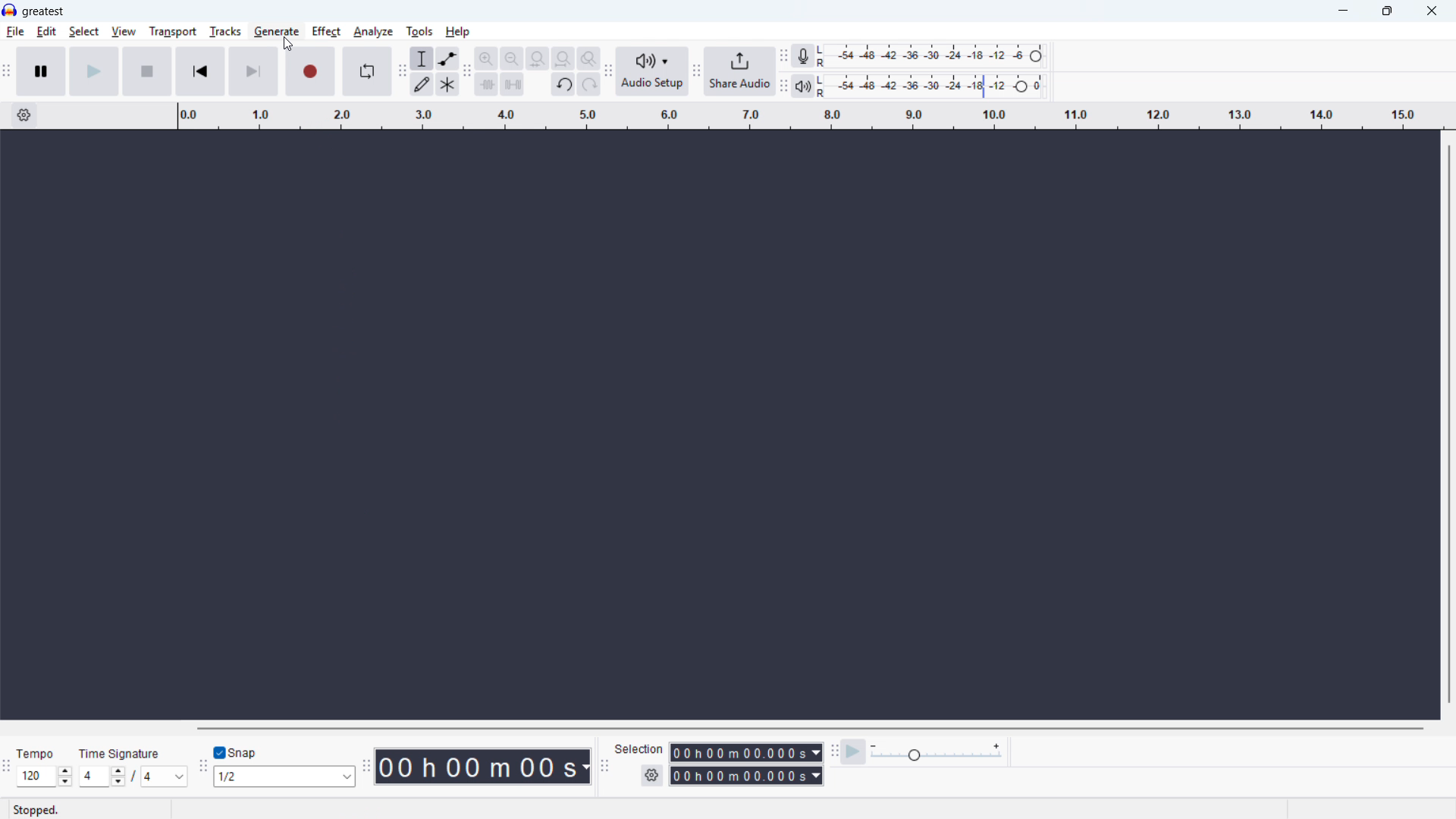  I want to click on audio setup toolbar, so click(607, 74).